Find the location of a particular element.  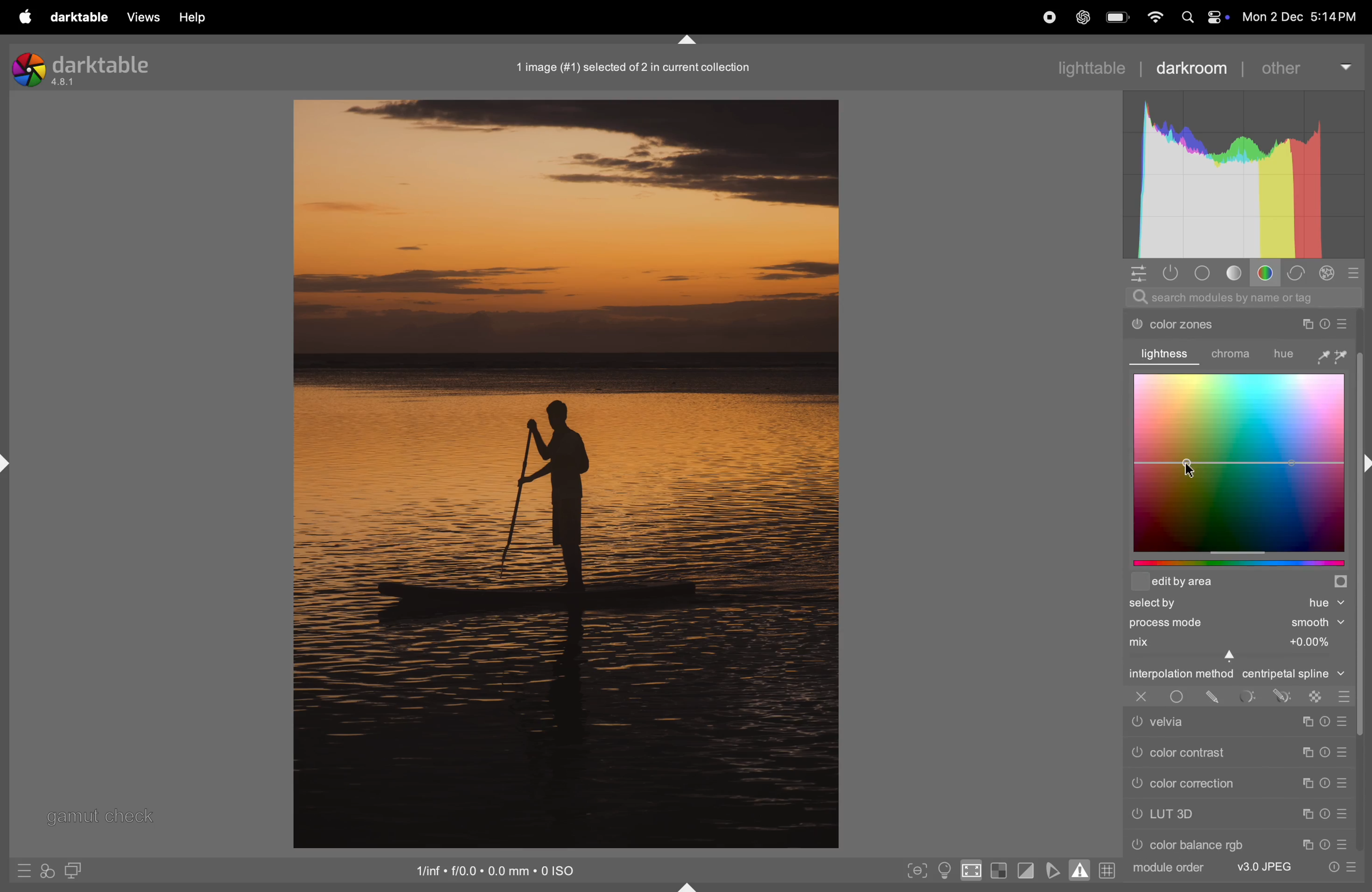

 is located at coordinates (1266, 272).